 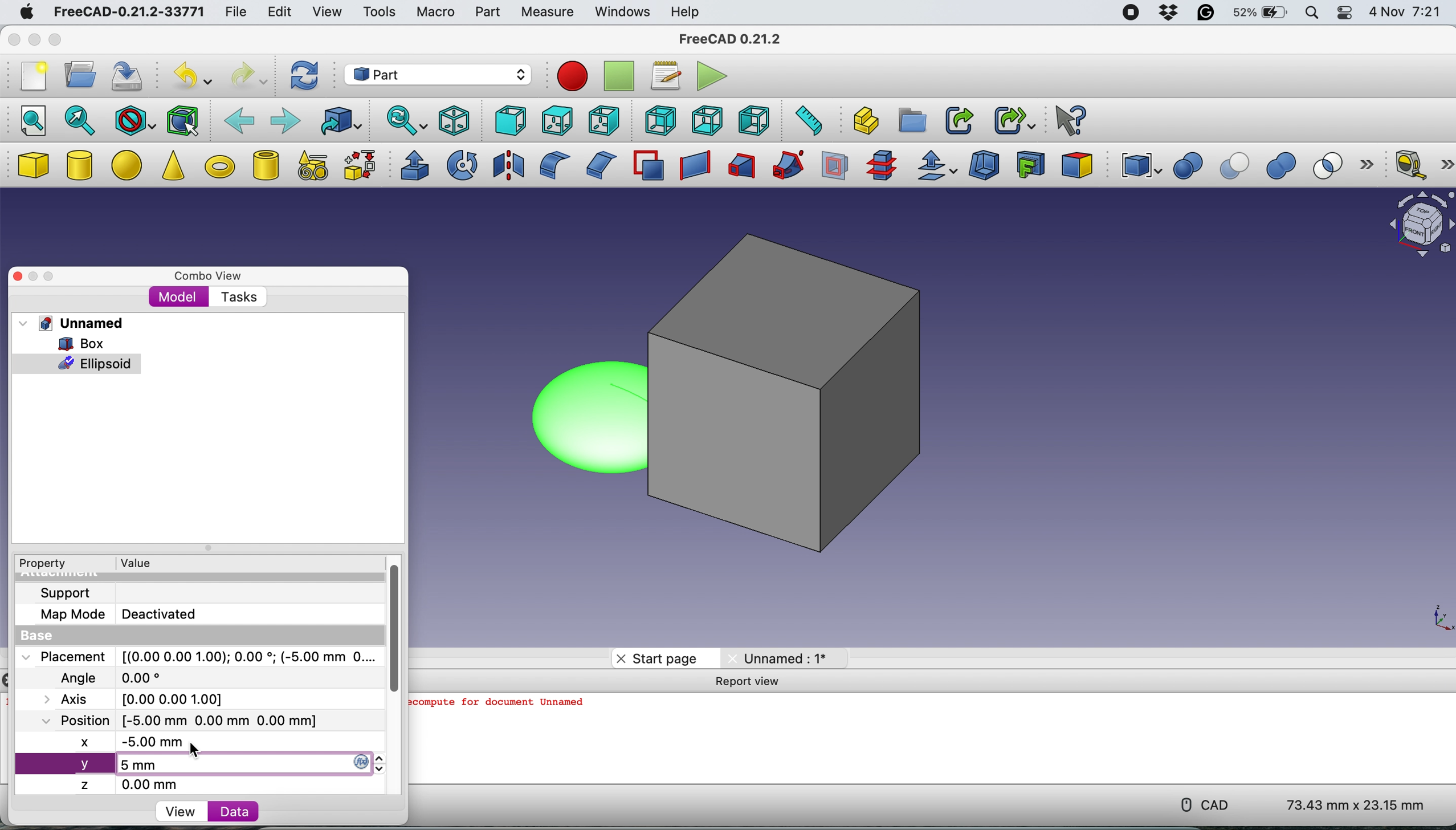 What do you see at coordinates (175, 720) in the screenshot?
I see `Position [-5.00 mm 0.00 mm 0.00 mm]` at bounding box center [175, 720].